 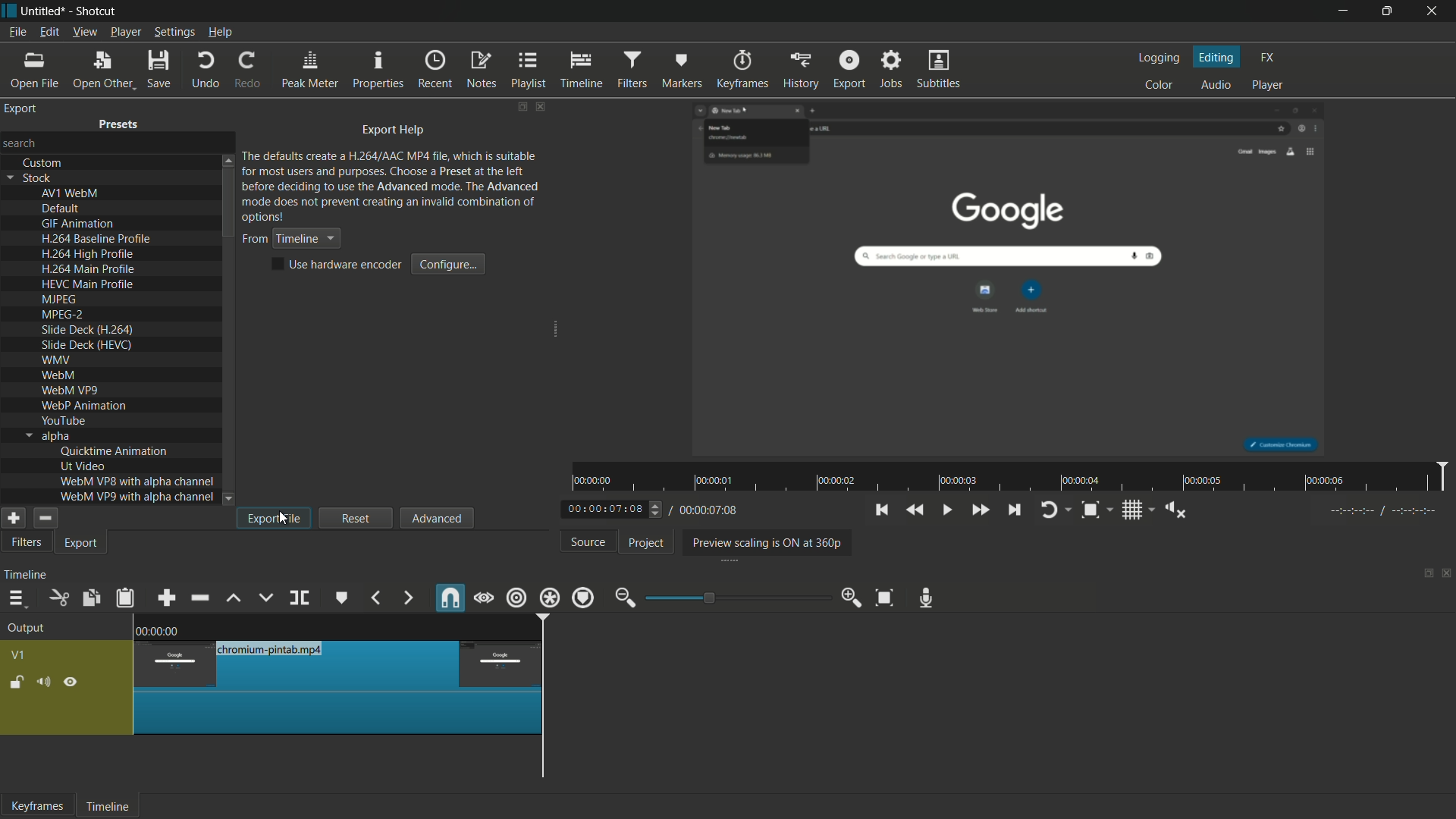 What do you see at coordinates (435, 69) in the screenshot?
I see `recent` at bounding box center [435, 69].